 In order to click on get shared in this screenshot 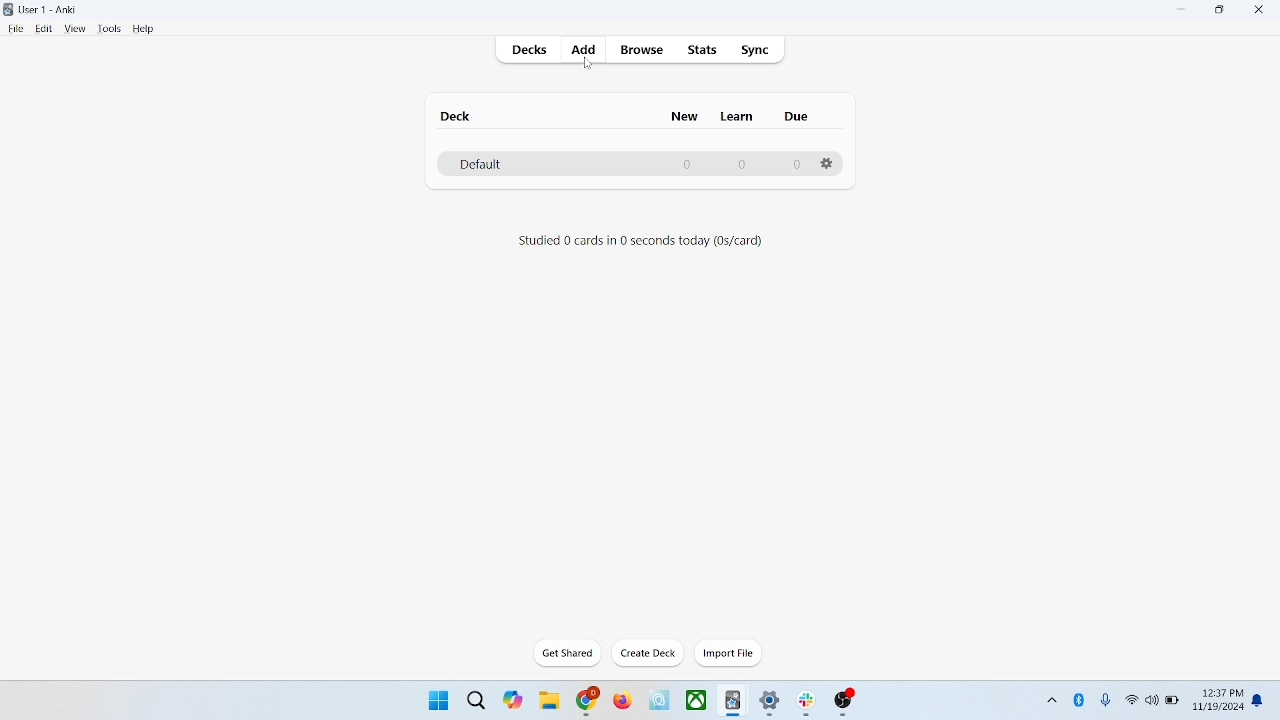, I will do `click(569, 654)`.